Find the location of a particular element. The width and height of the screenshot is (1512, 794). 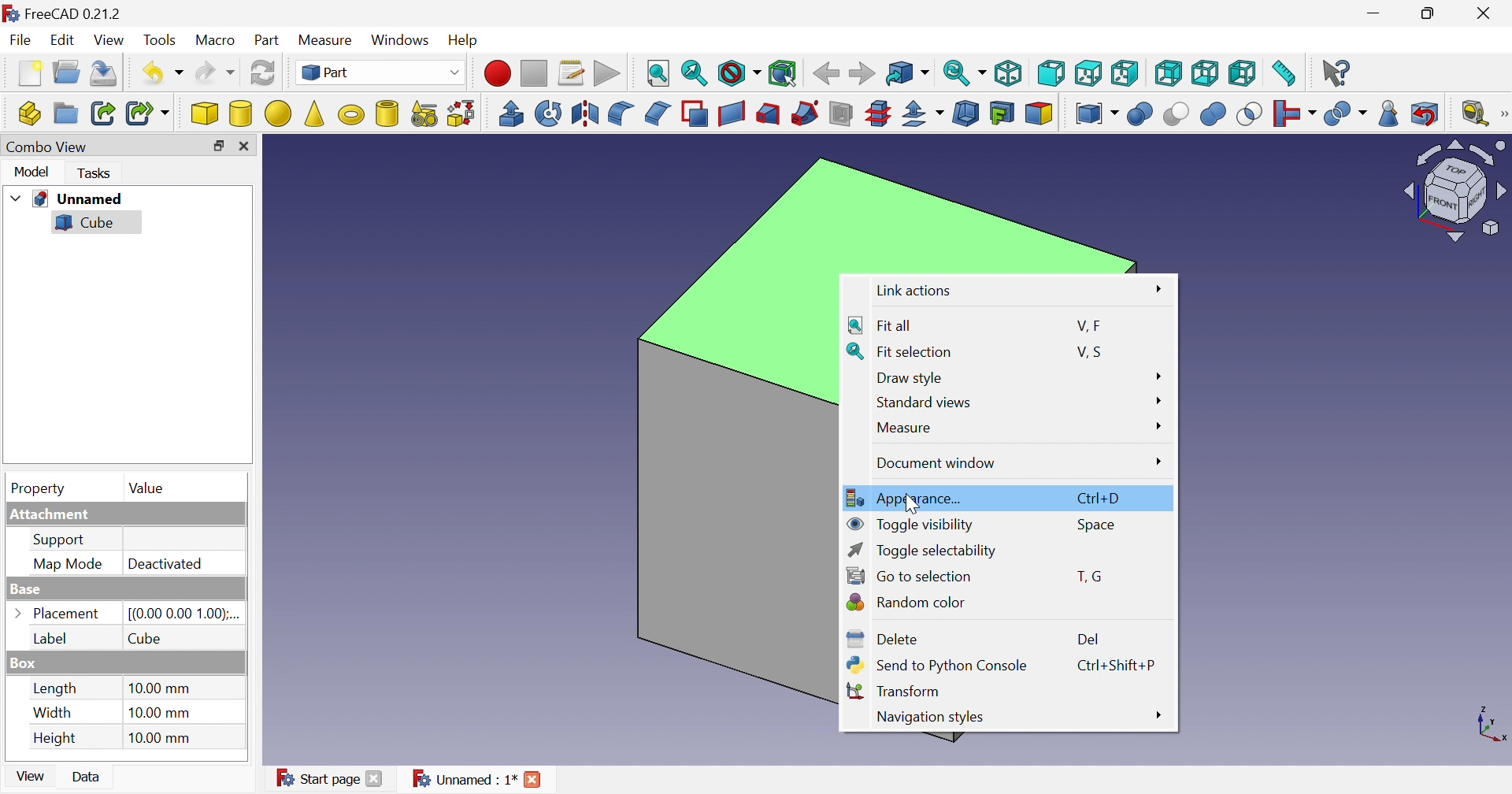

Check geometry is located at coordinates (1389, 114).